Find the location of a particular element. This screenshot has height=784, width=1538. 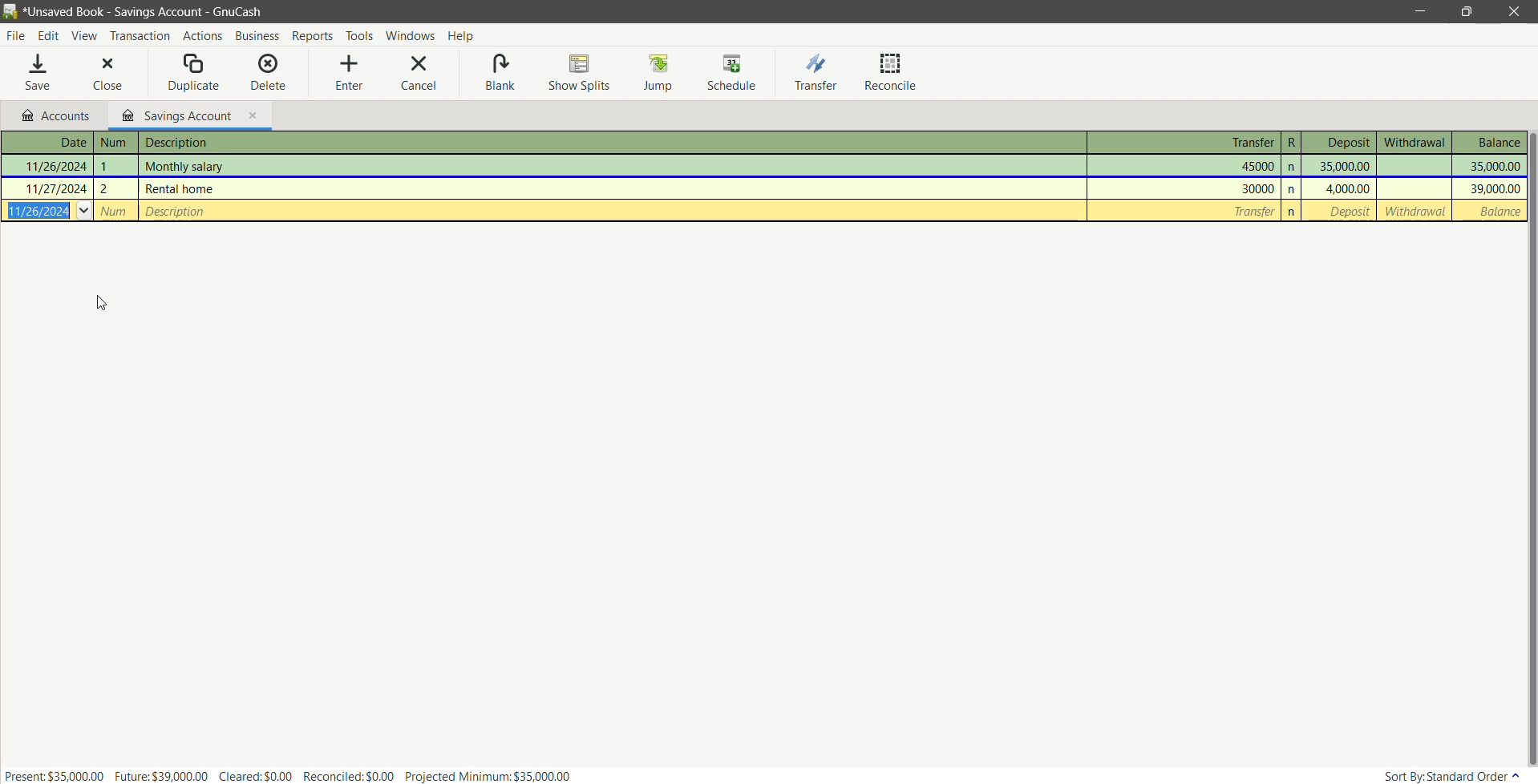

Help is located at coordinates (467, 35).